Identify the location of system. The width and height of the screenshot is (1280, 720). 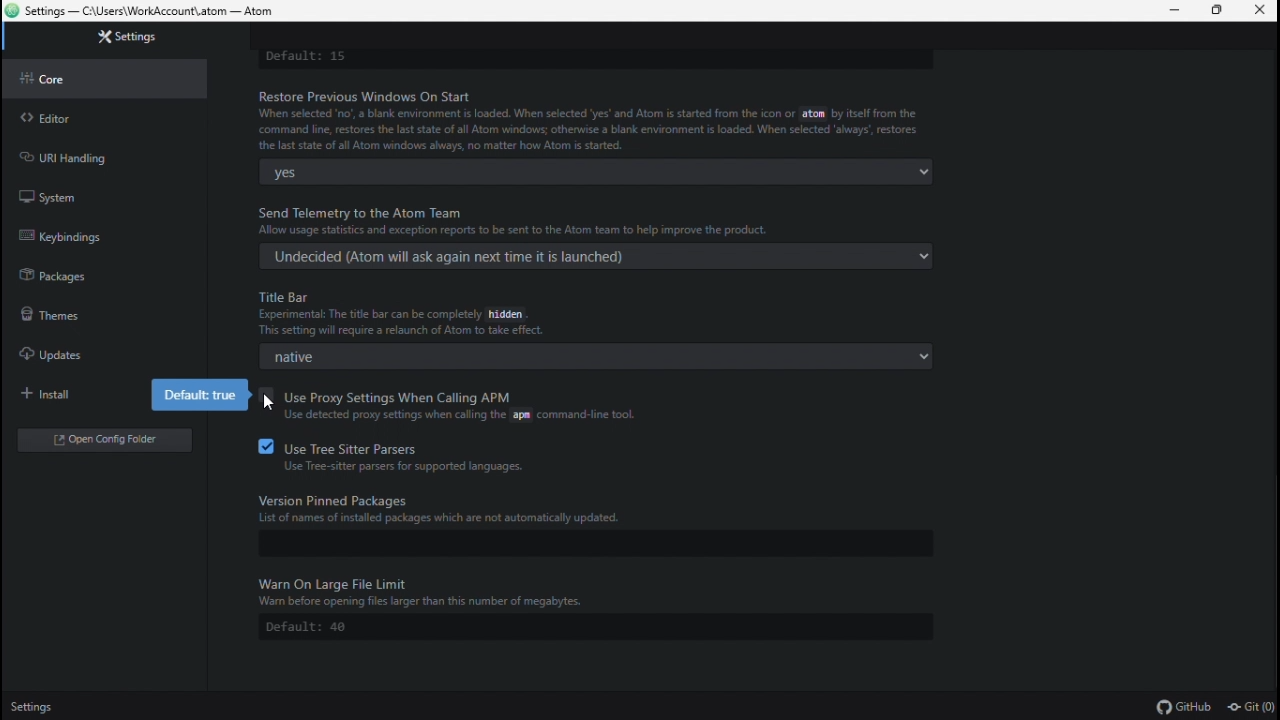
(83, 194).